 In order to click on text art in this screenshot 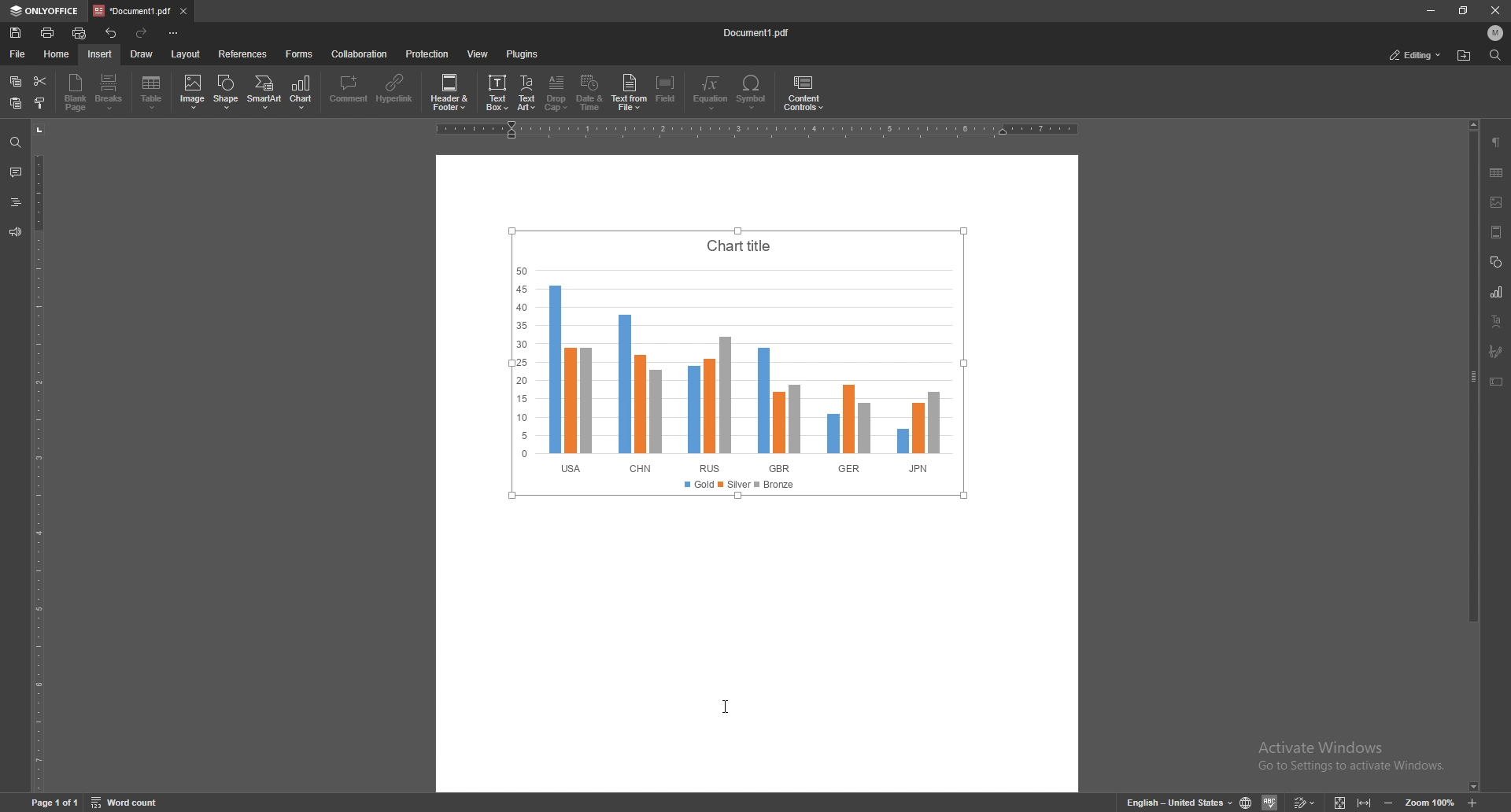, I will do `click(1497, 321)`.